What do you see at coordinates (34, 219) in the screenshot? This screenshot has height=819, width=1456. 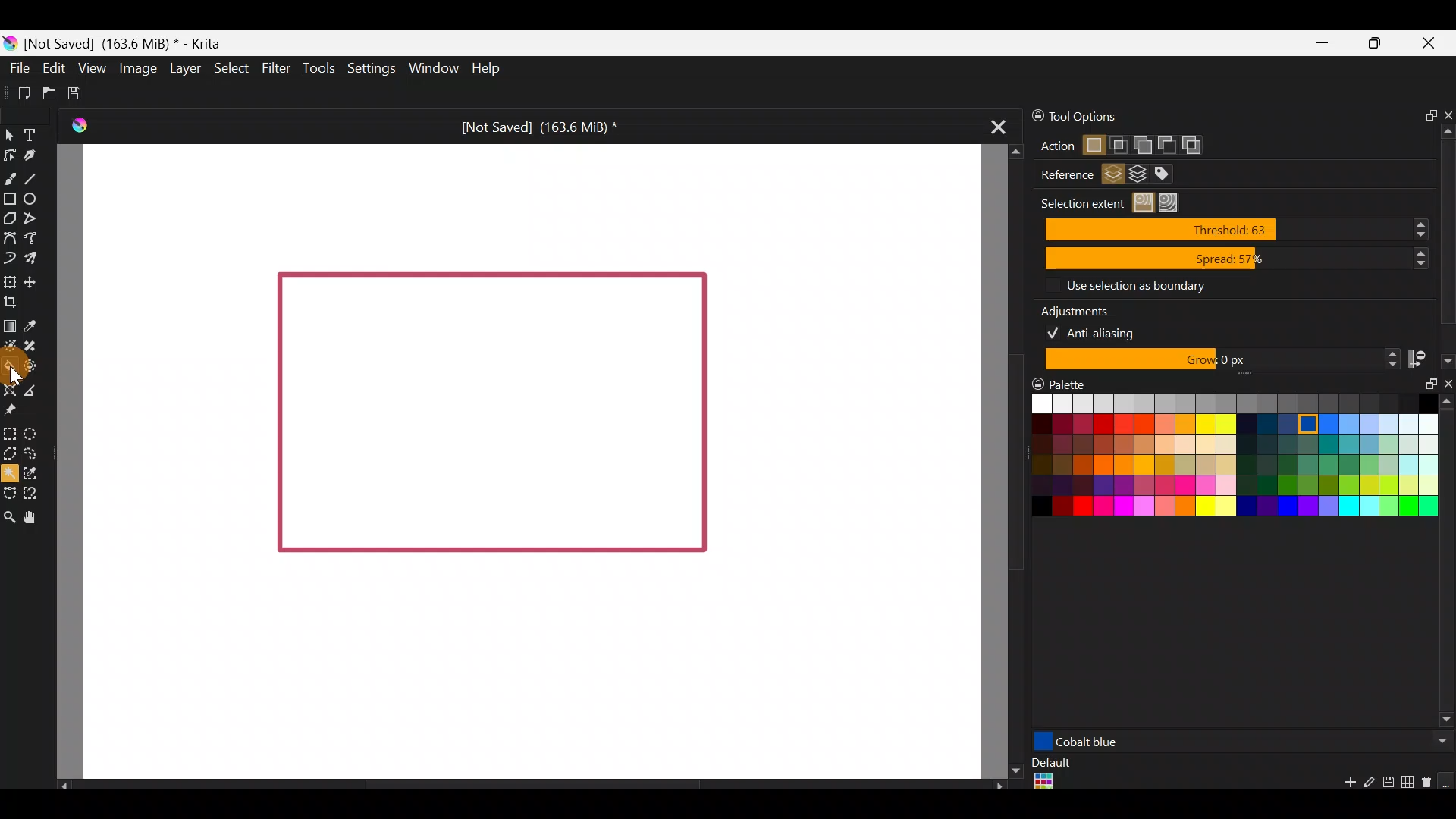 I see `Polyline tool` at bounding box center [34, 219].